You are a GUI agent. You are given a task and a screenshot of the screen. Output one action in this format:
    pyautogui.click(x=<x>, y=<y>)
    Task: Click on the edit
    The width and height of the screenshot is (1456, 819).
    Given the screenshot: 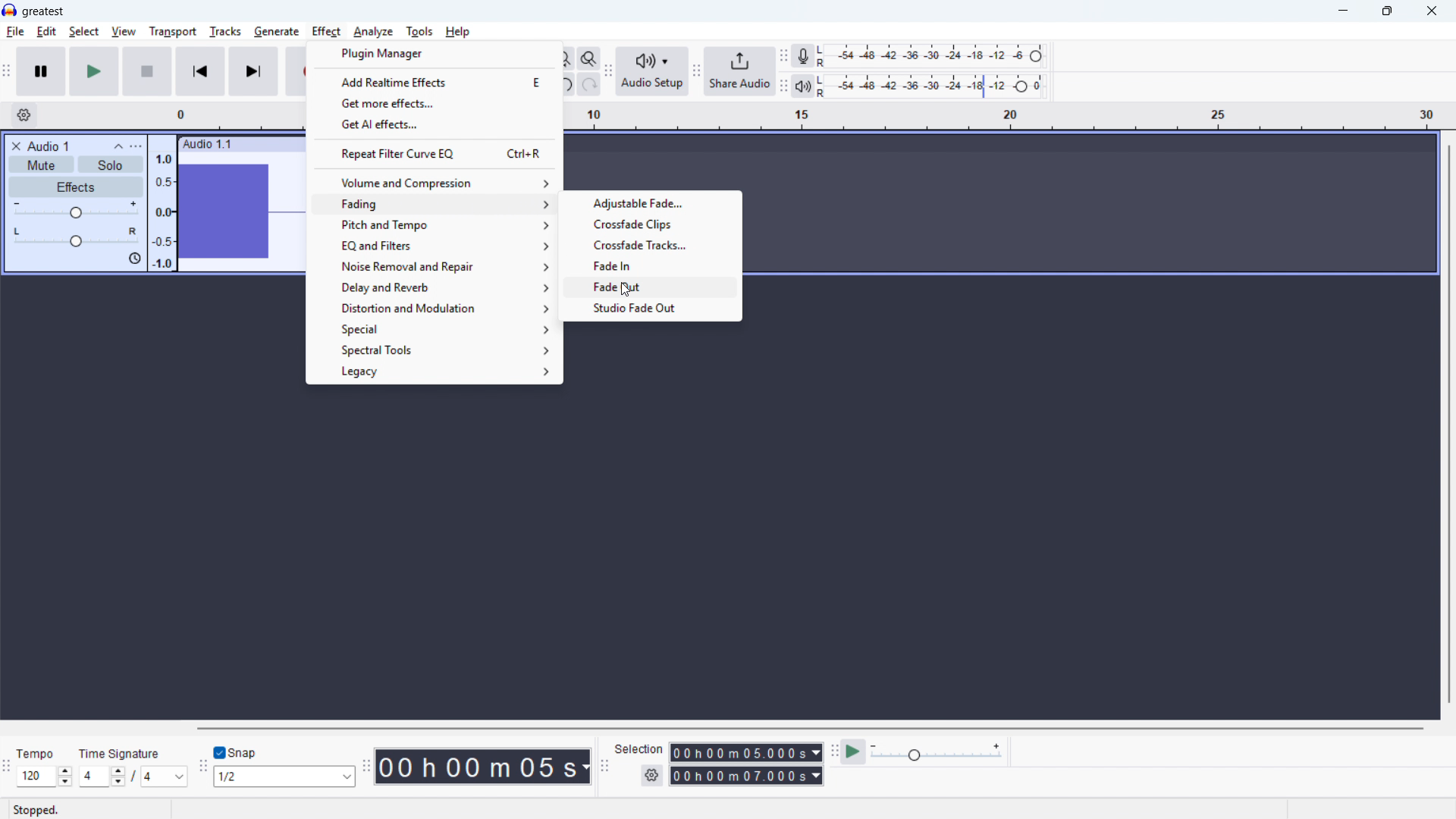 What is the action you would take?
    pyautogui.click(x=46, y=32)
    